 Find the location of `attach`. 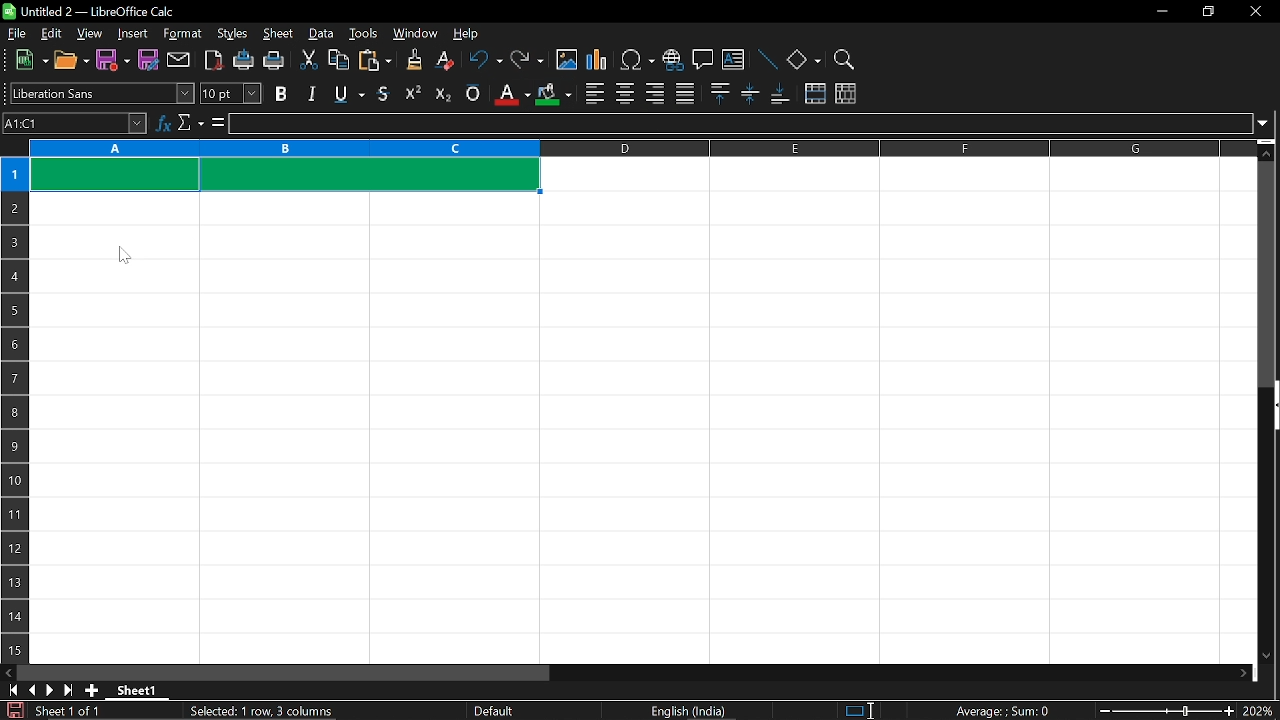

attach is located at coordinates (177, 59).